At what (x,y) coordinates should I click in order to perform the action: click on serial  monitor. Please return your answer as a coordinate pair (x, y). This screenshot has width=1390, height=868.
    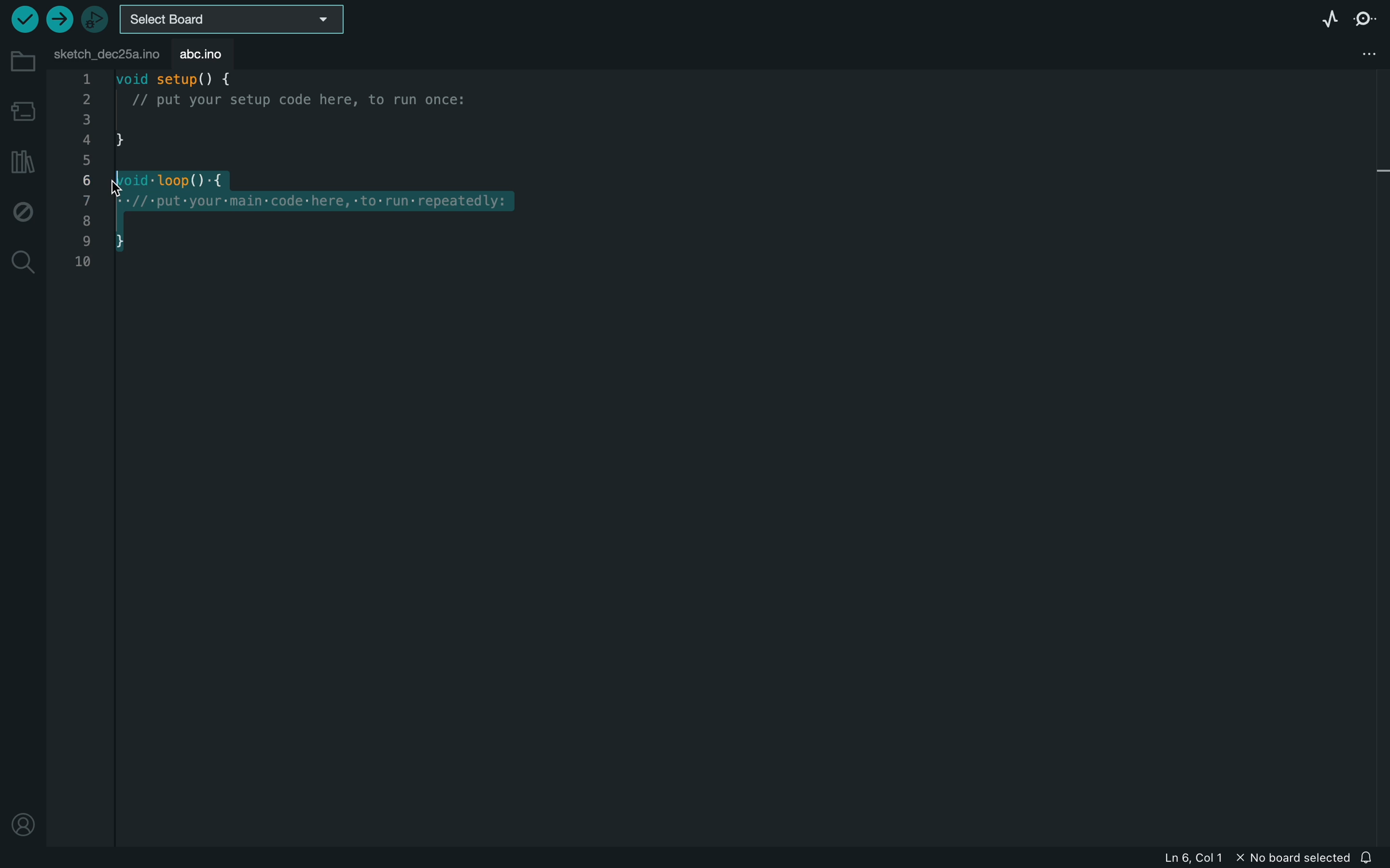
    Looking at the image, I should click on (1368, 21).